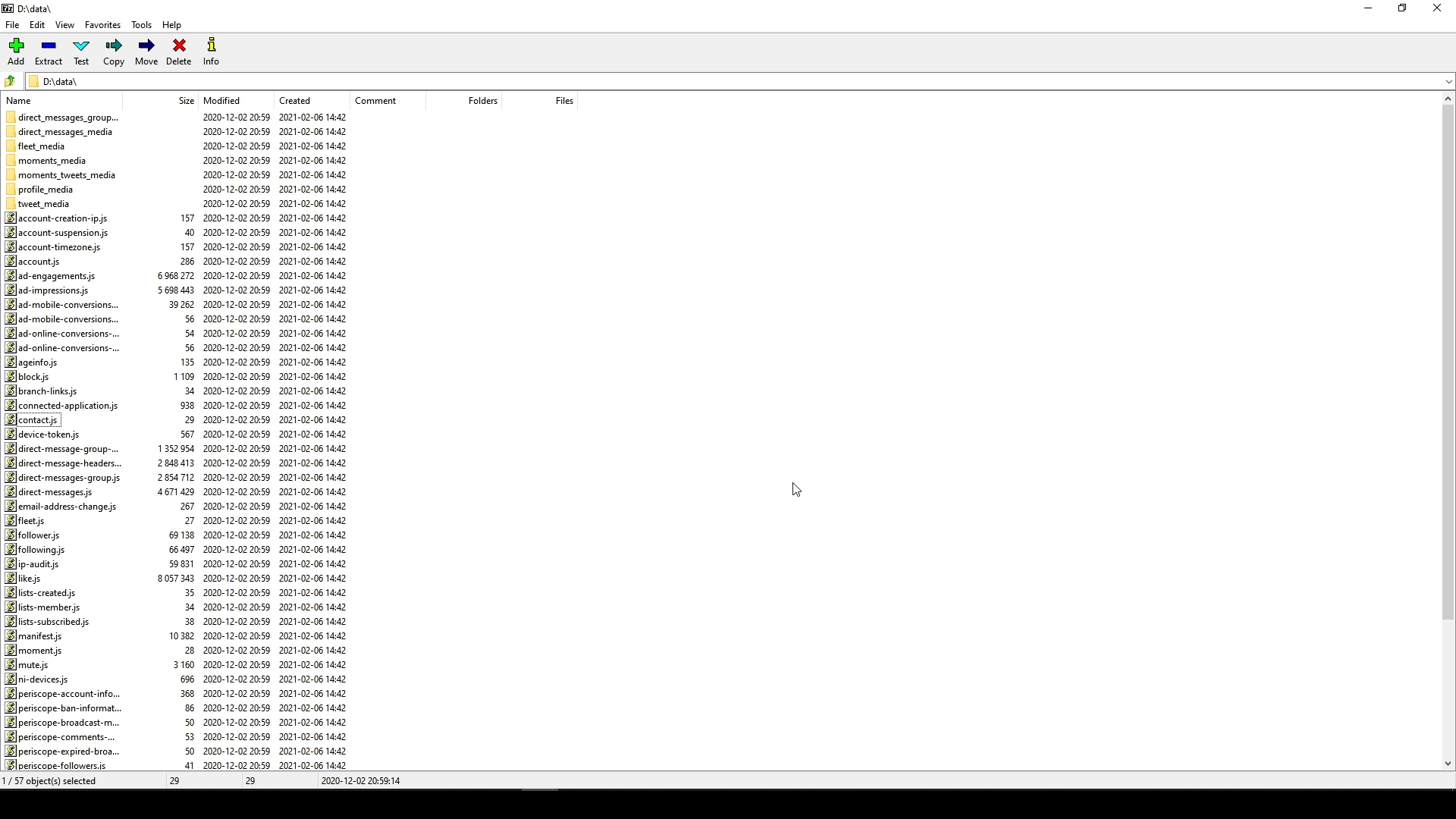 Image resolution: width=1456 pixels, height=819 pixels. What do you see at coordinates (36, 549) in the screenshot?
I see `fol` at bounding box center [36, 549].